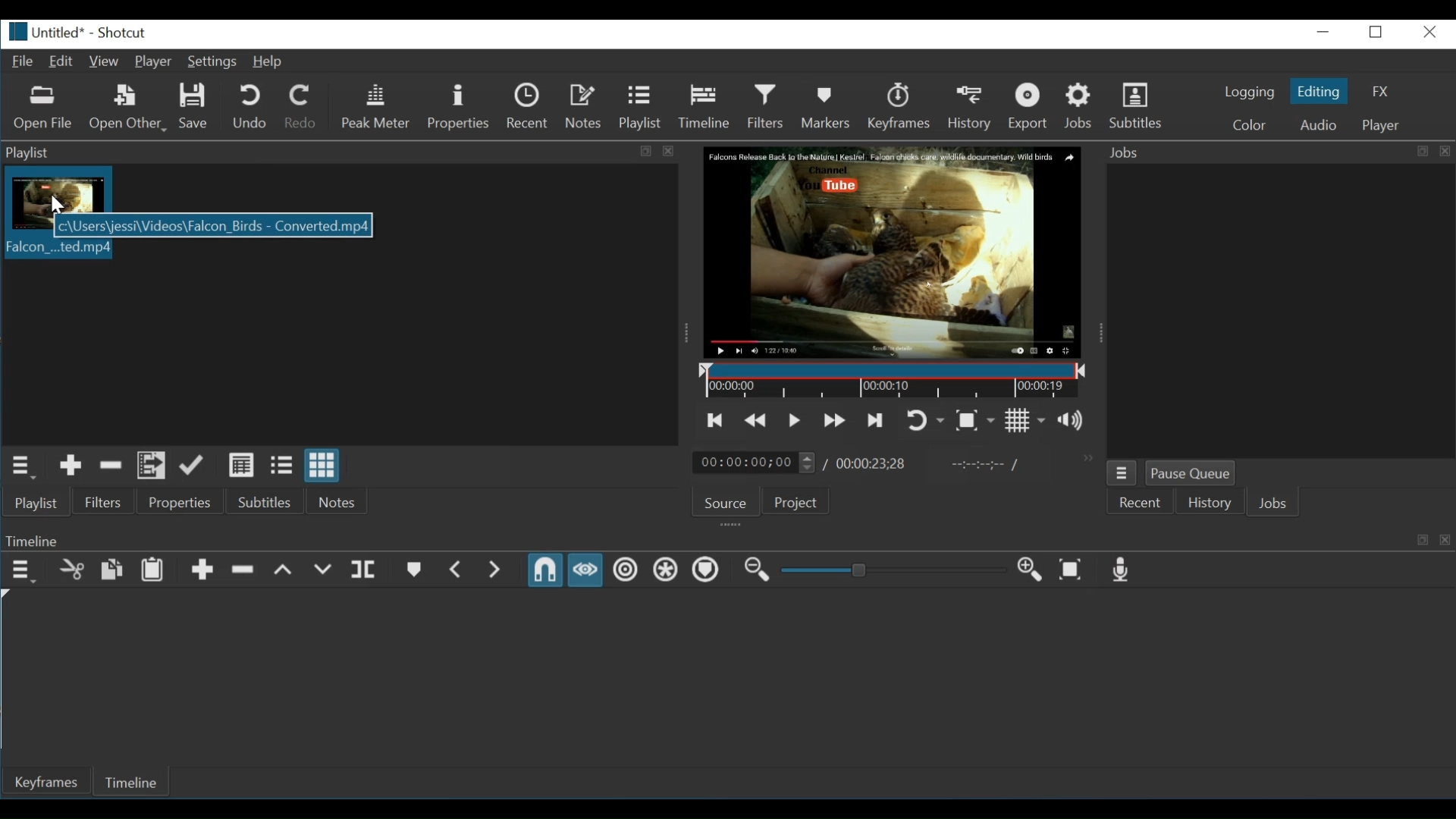 This screenshot has width=1456, height=819. Describe the element at coordinates (153, 62) in the screenshot. I see `Player` at that location.